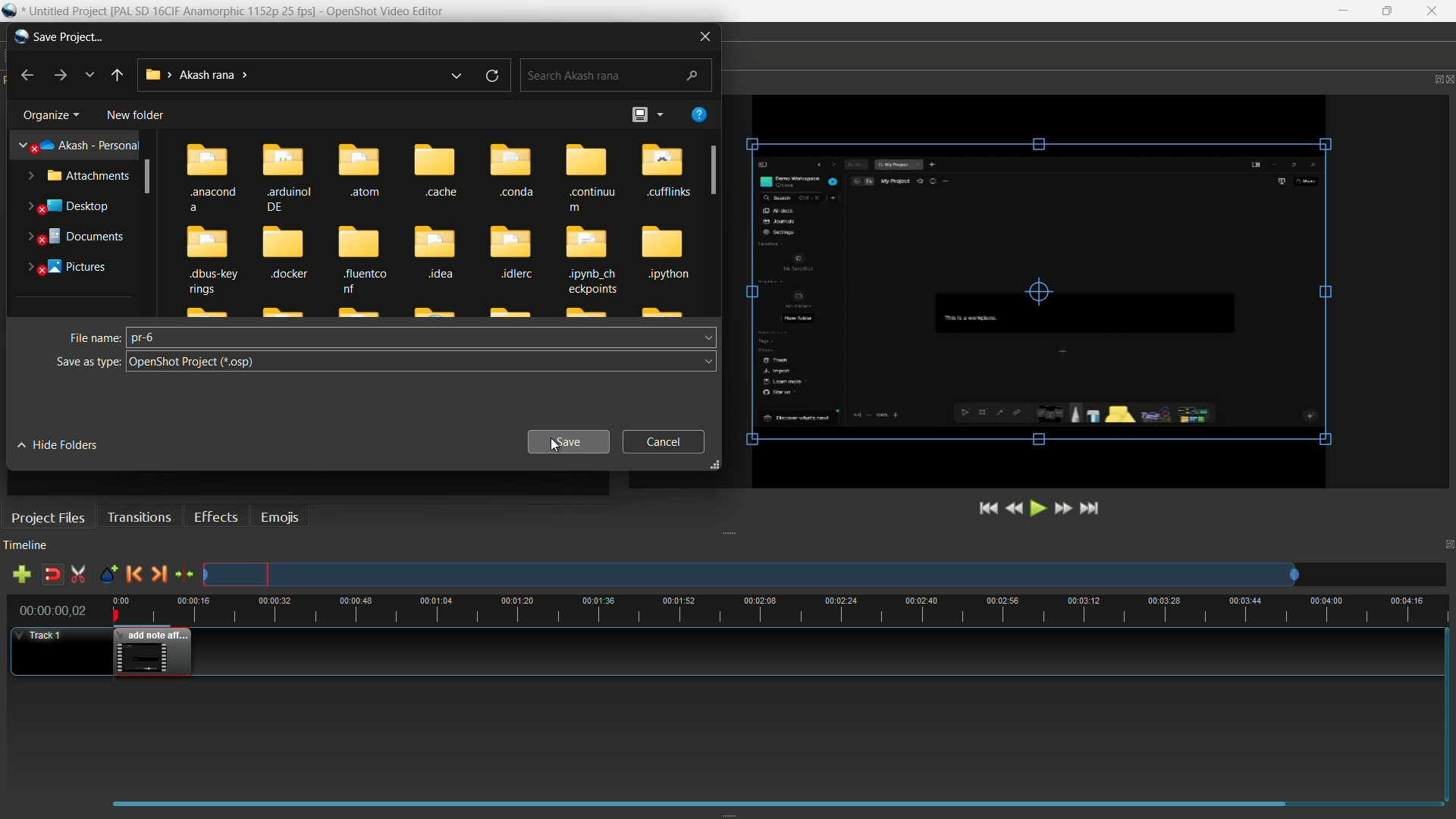  I want to click on track preview, so click(750, 575).